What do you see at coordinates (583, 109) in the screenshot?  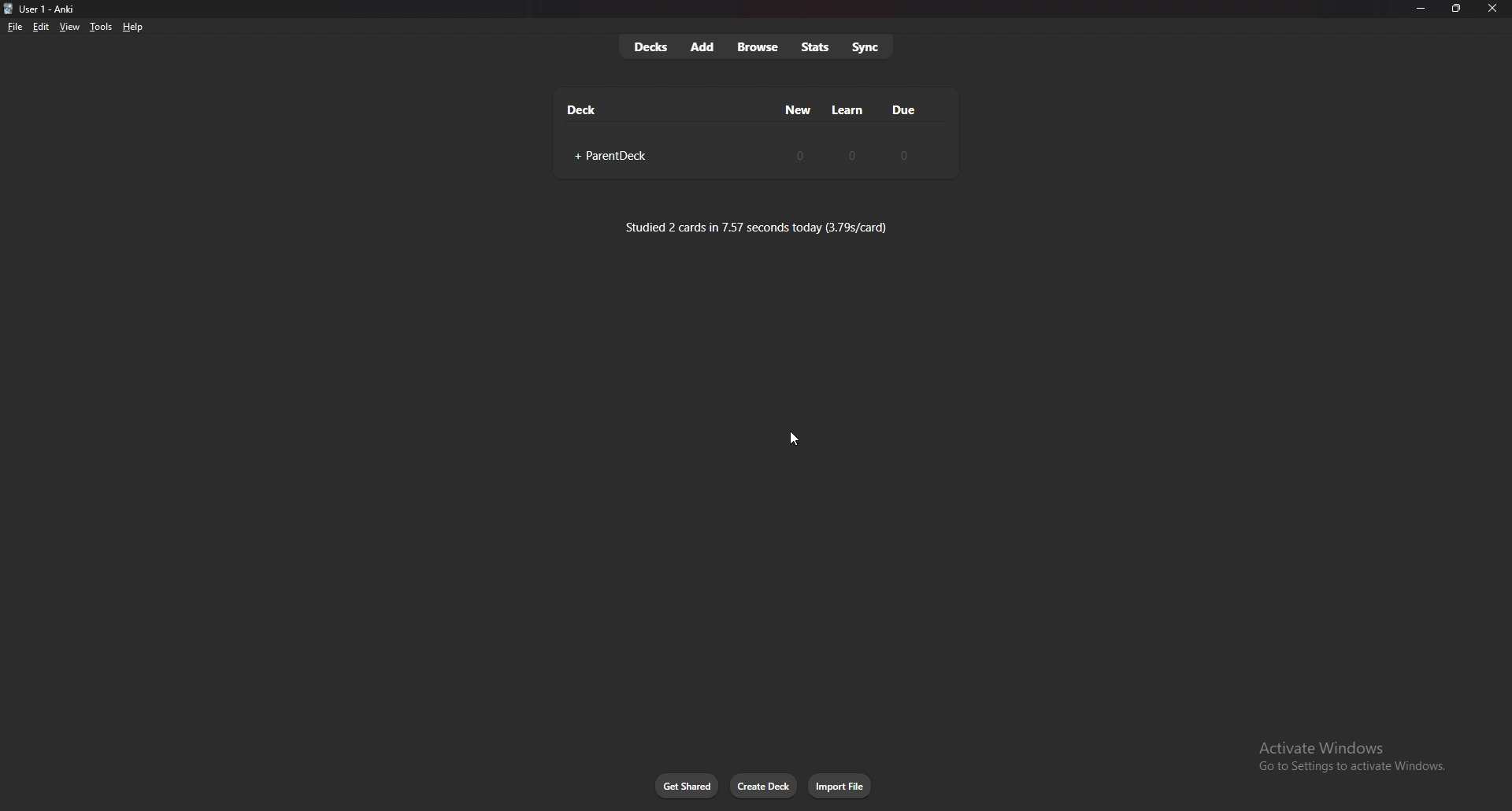 I see `deck` at bounding box center [583, 109].